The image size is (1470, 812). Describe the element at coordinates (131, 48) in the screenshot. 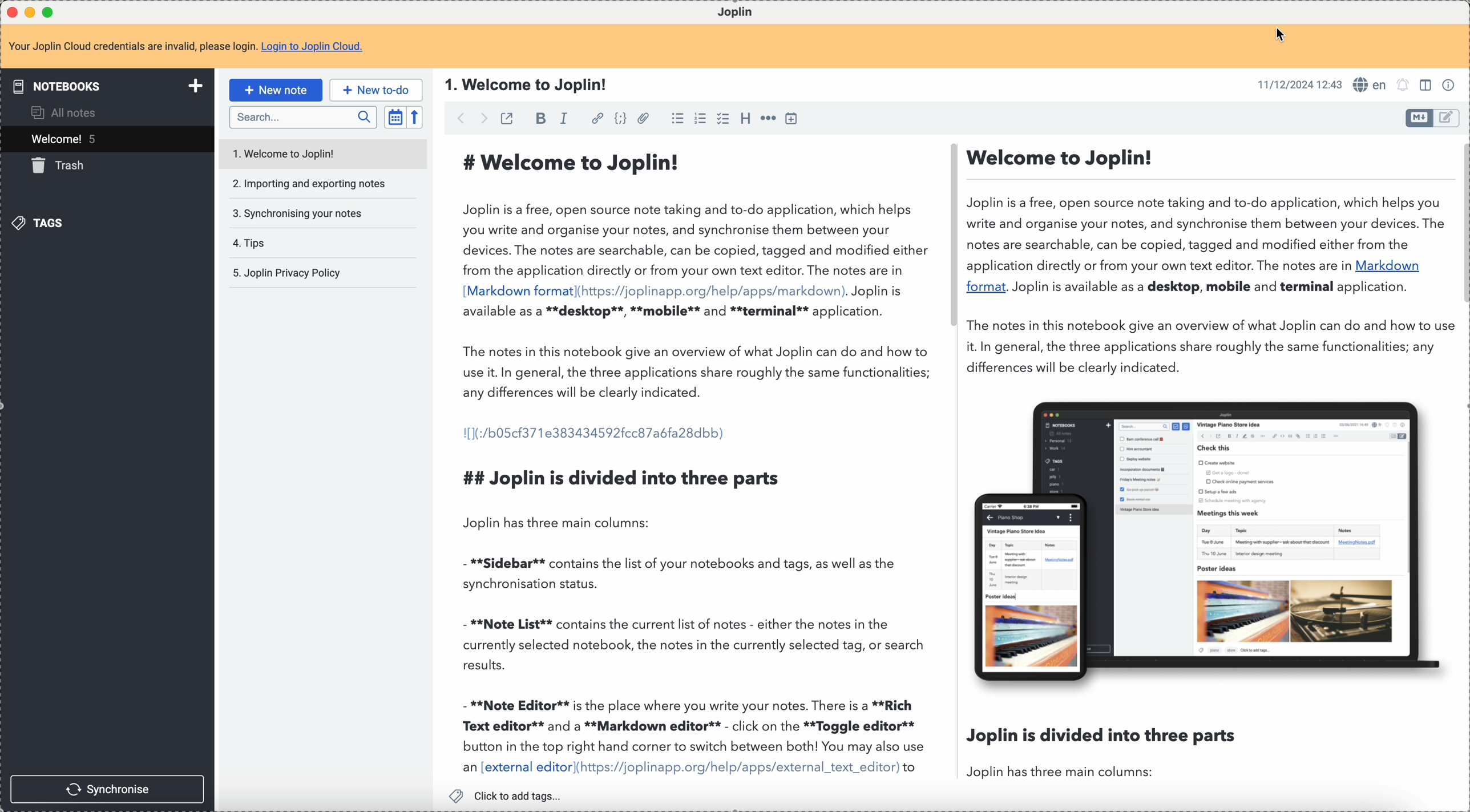

I see `Your Joplin Cloud credentials are invalid, please login.` at that location.